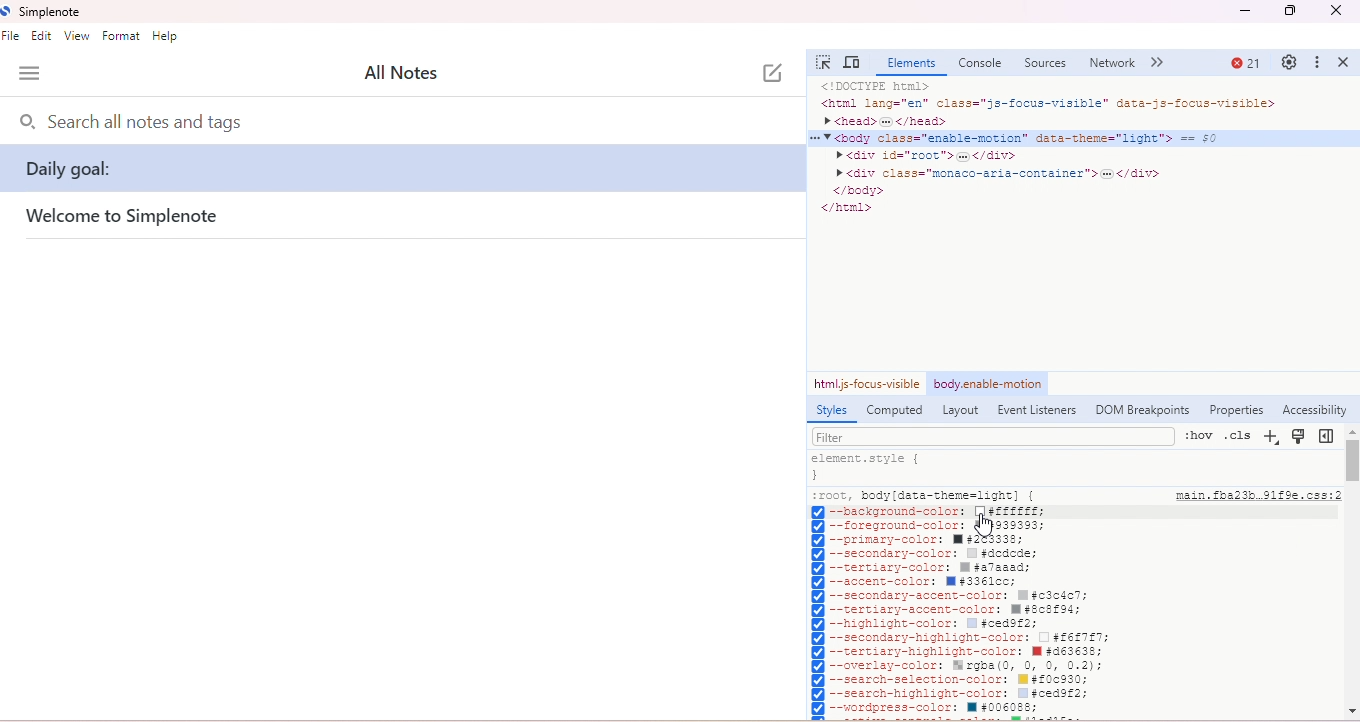 This screenshot has width=1360, height=722. Describe the element at coordinates (124, 218) in the screenshot. I see `welcome simplenote` at that location.